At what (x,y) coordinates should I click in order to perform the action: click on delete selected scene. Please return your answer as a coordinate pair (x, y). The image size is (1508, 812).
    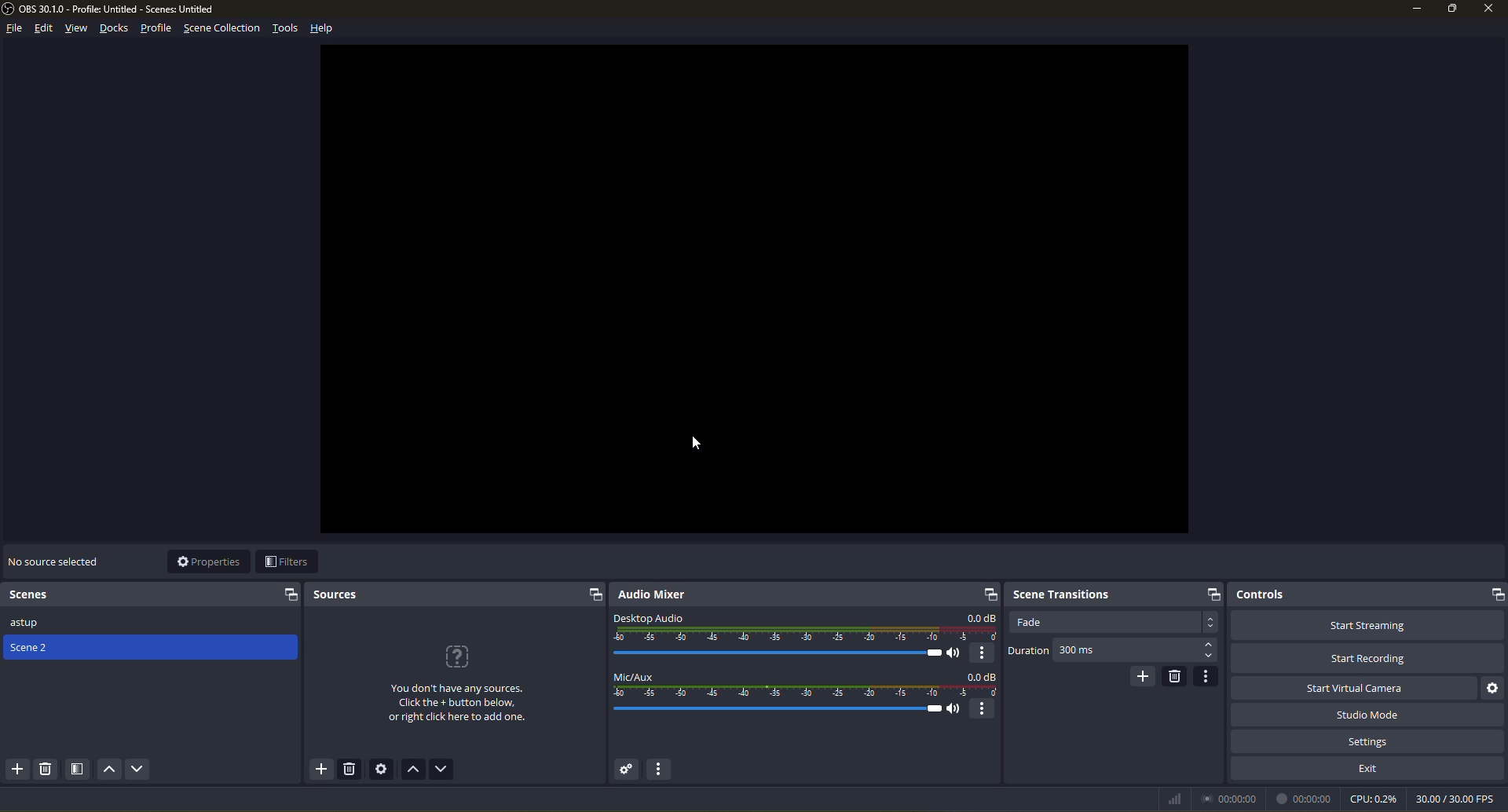
    Looking at the image, I should click on (47, 768).